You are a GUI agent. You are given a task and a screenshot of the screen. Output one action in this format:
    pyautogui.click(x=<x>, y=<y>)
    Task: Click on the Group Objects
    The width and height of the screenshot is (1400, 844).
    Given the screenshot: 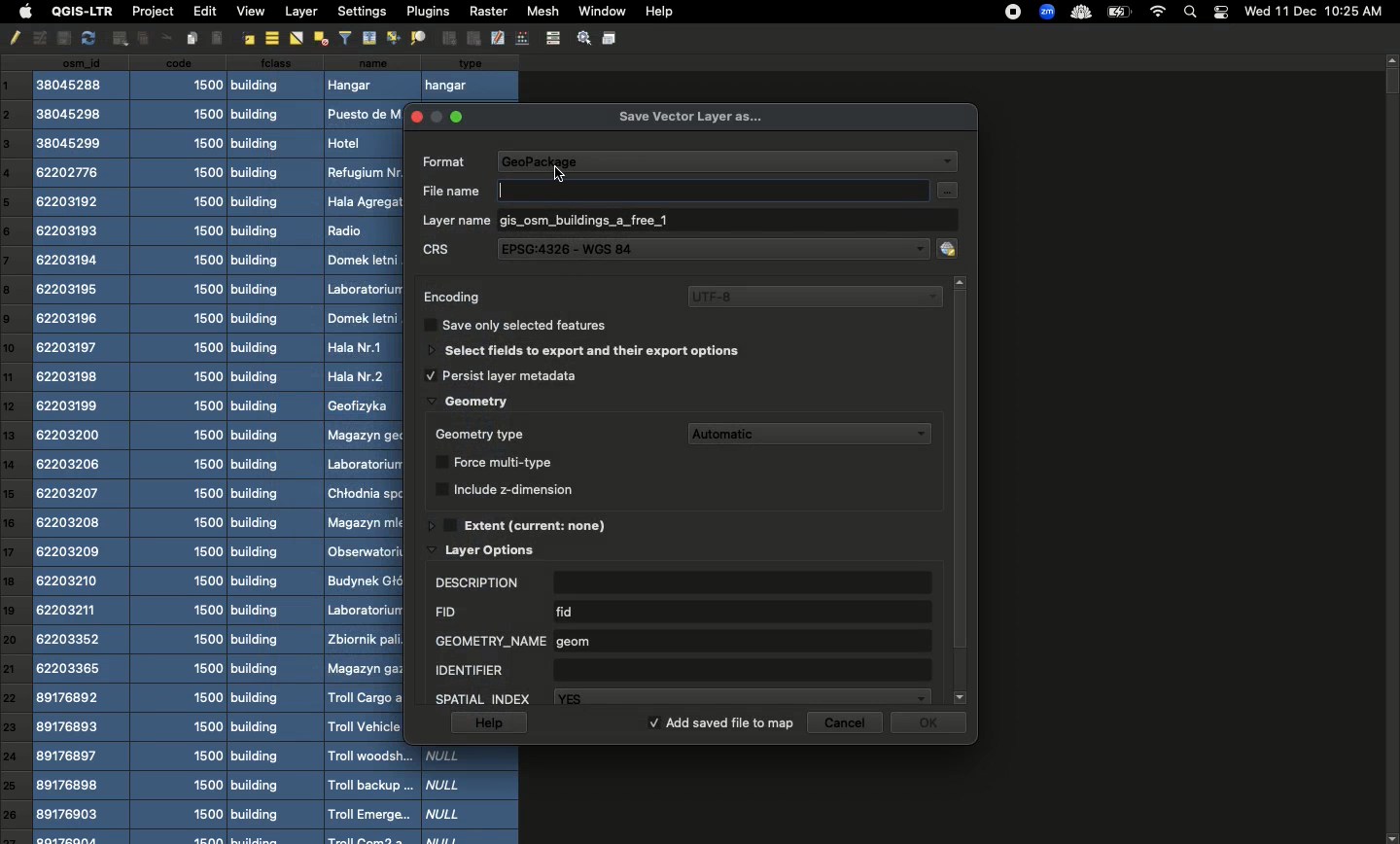 What is the action you would take?
    pyautogui.click(x=448, y=38)
    